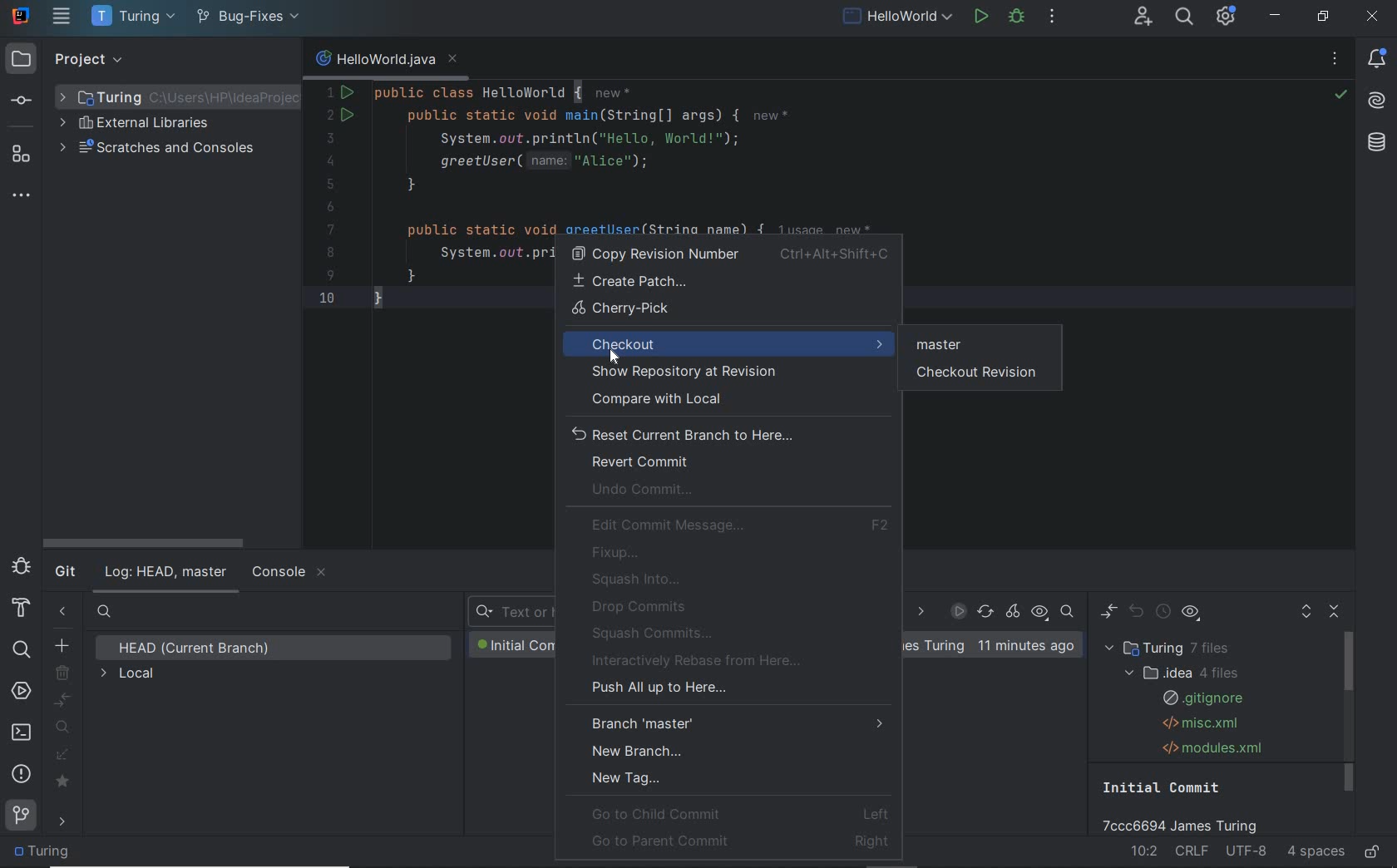  Describe the element at coordinates (63, 16) in the screenshot. I see `main menu` at that location.